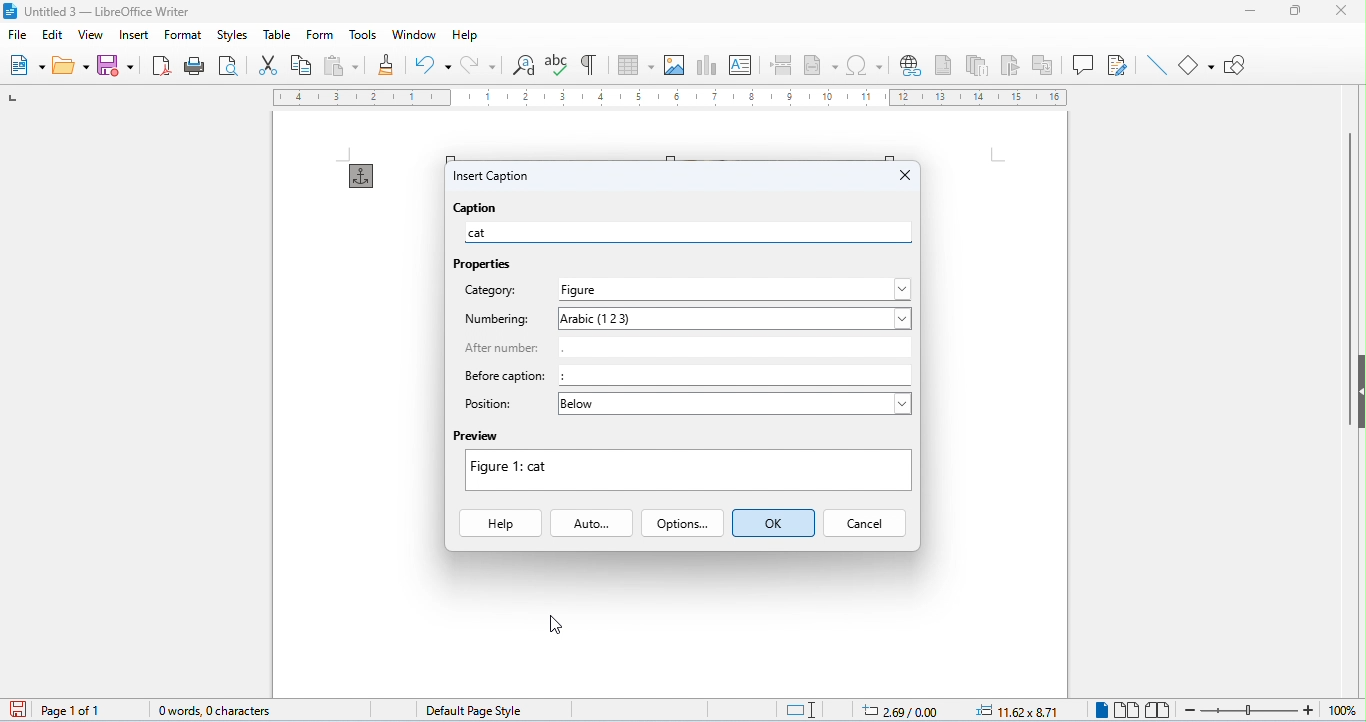  What do you see at coordinates (1157, 710) in the screenshot?
I see `book view` at bounding box center [1157, 710].